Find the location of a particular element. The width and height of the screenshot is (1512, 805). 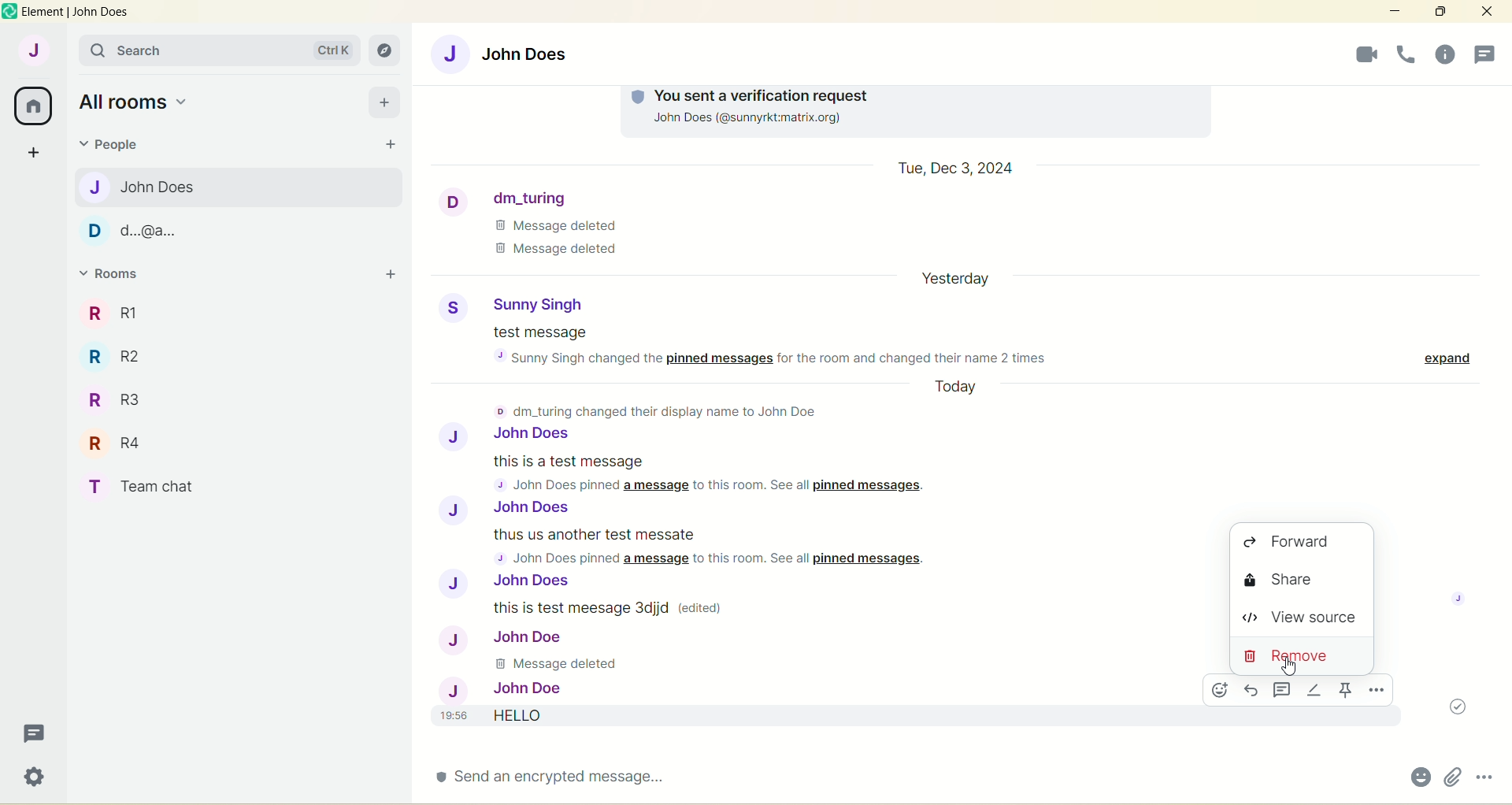

remove is located at coordinates (1301, 655).